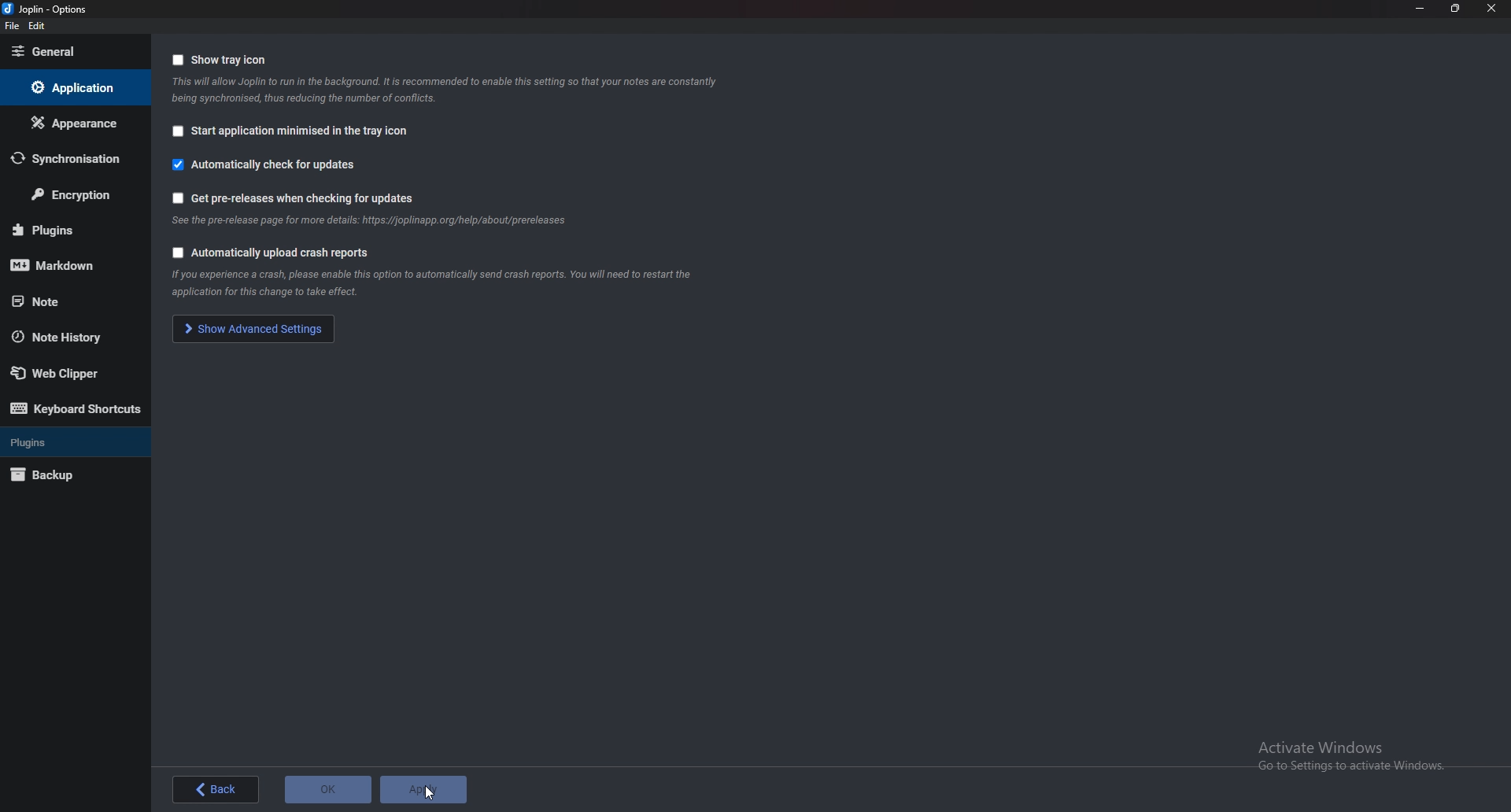  What do you see at coordinates (283, 252) in the screenshot?
I see `Automatically upload crash reports` at bounding box center [283, 252].